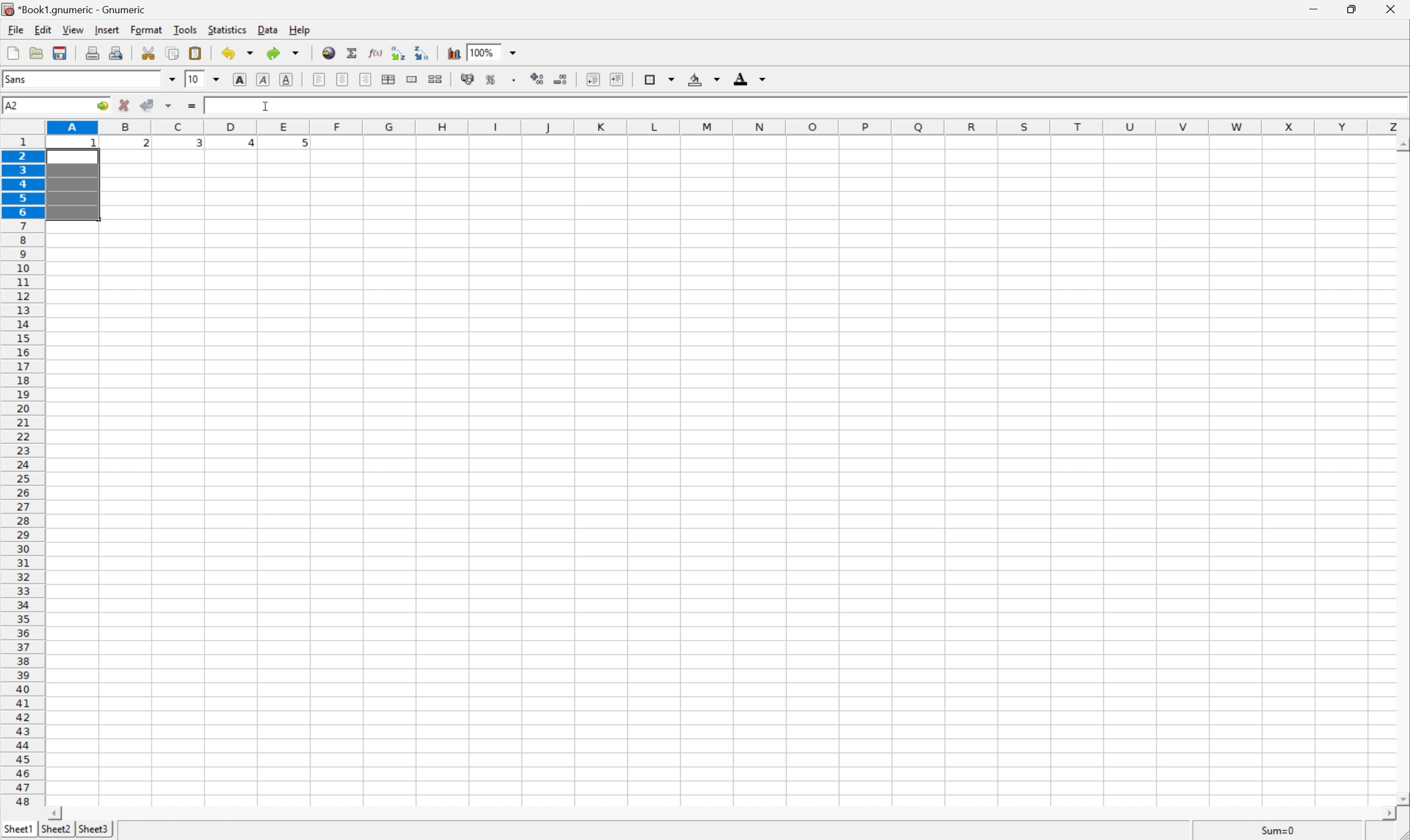 The width and height of the screenshot is (1410, 840). I want to click on accept changes across selection, so click(168, 106).